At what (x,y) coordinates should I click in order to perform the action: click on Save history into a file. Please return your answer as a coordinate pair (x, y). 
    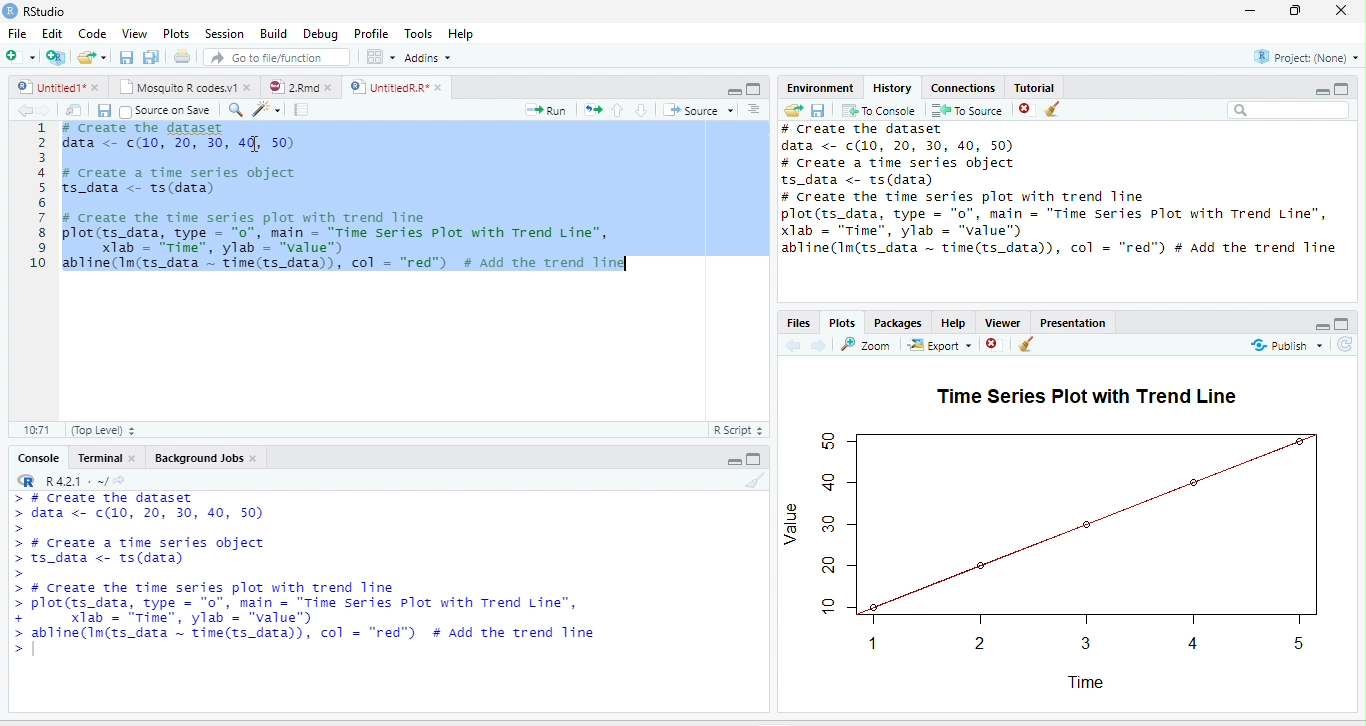
    Looking at the image, I should click on (818, 110).